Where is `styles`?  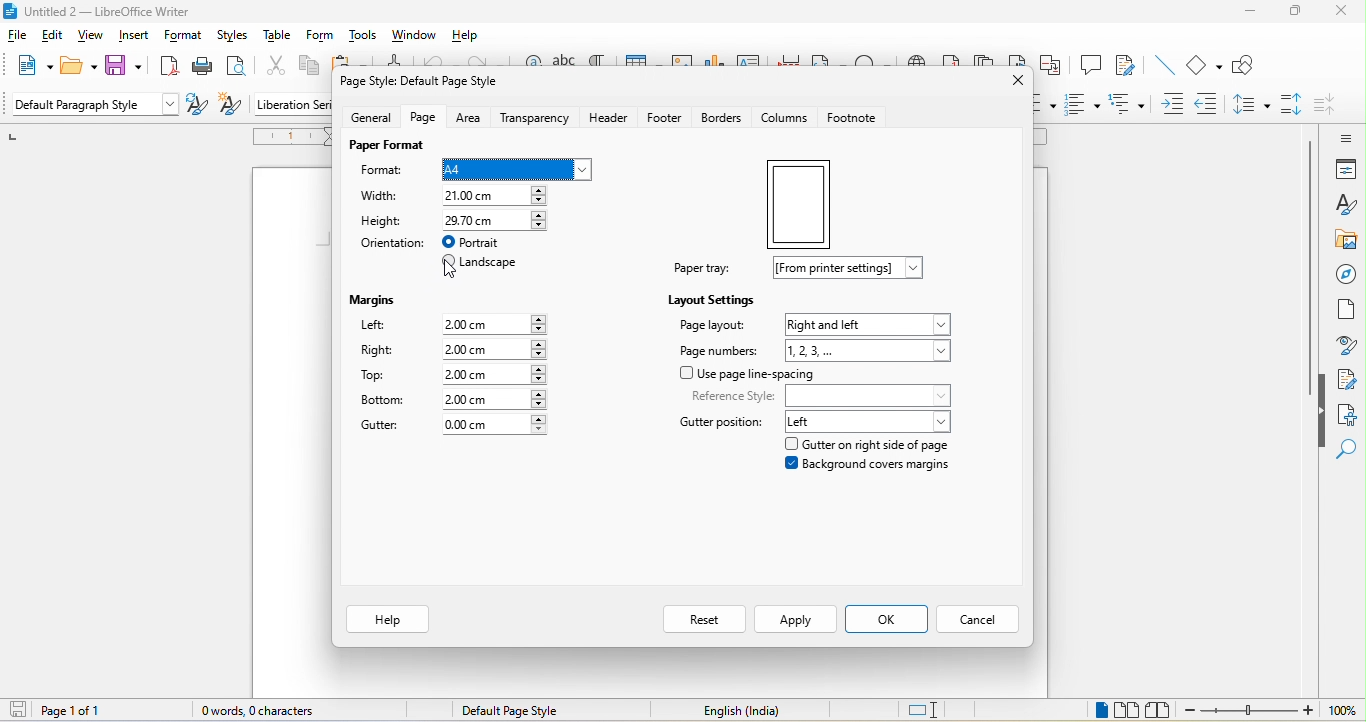
styles is located at coordinates (1345, 205).